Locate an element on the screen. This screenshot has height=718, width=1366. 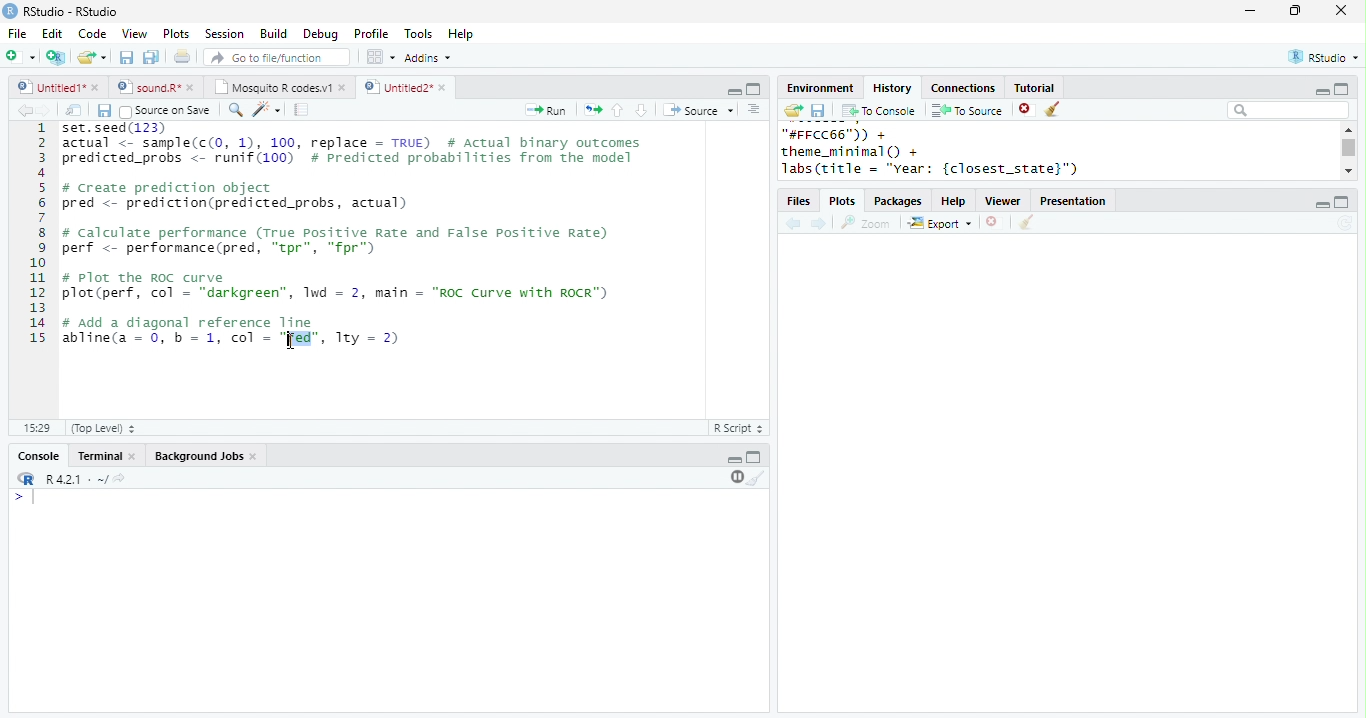
clear is located at coordinates (1054, 110).